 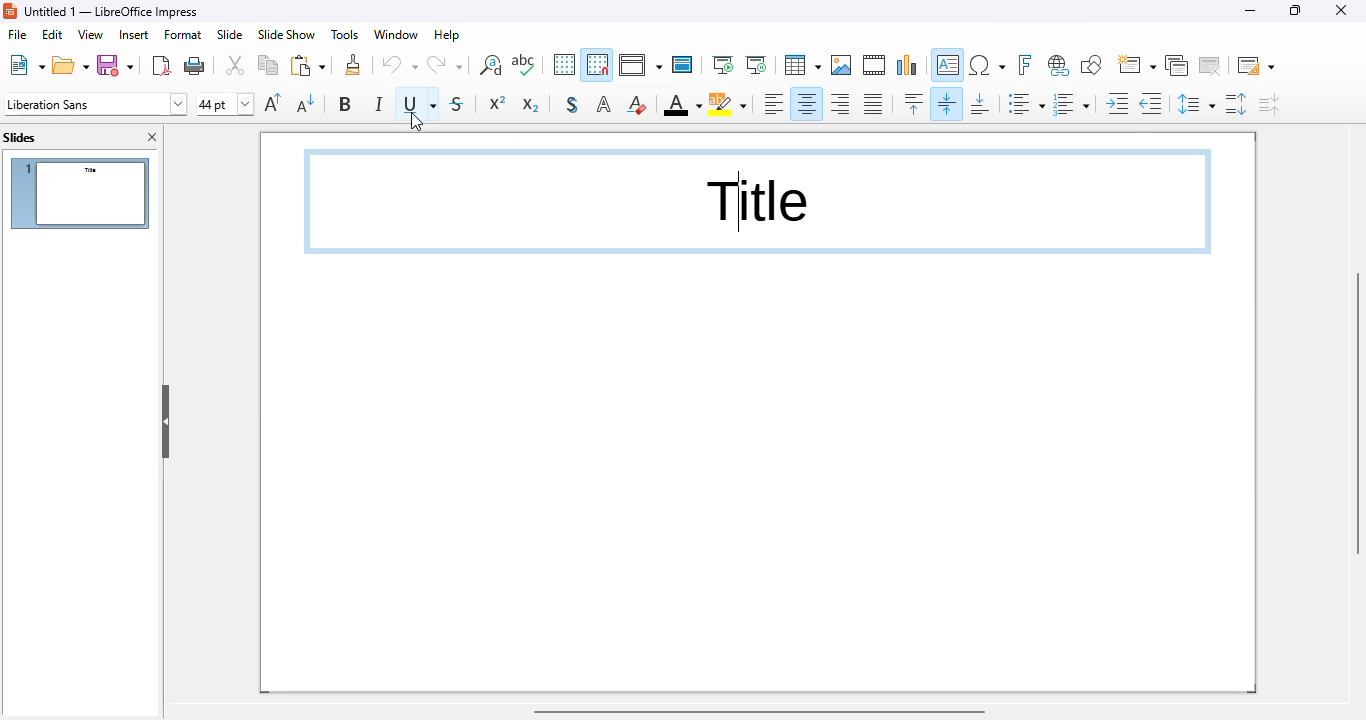 I want to click on master slide, so click(x=684, y=65).